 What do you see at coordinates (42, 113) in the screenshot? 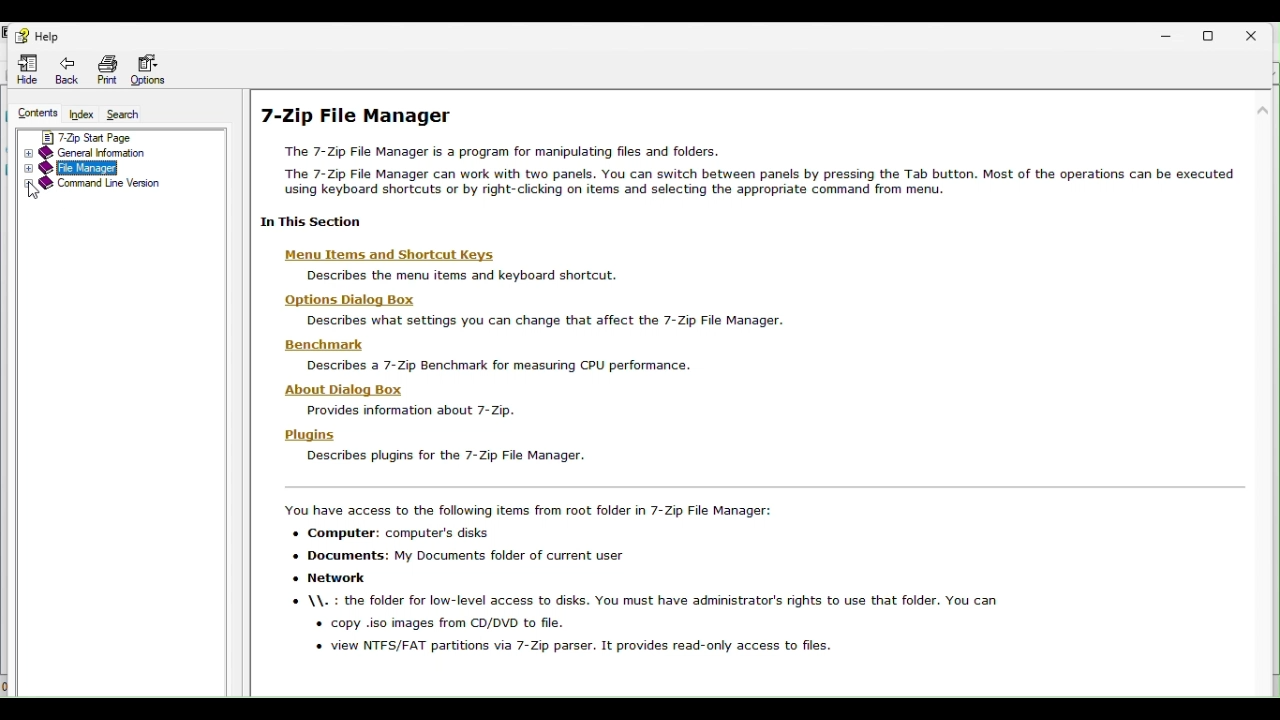
I see `Content` at bounding box center [42, 113].